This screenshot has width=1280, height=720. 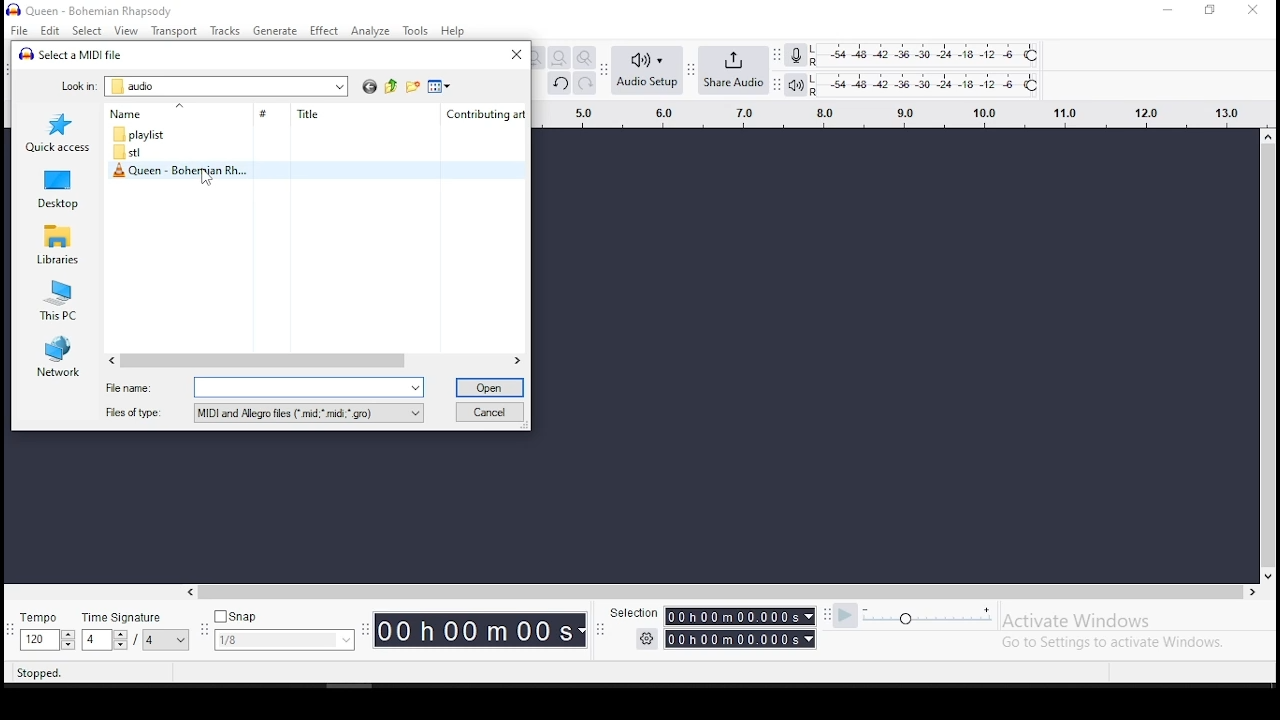 What do you see at coordinates (59, 133) in the screenshot?
I see `quick access` at bounding box center [59, 133].